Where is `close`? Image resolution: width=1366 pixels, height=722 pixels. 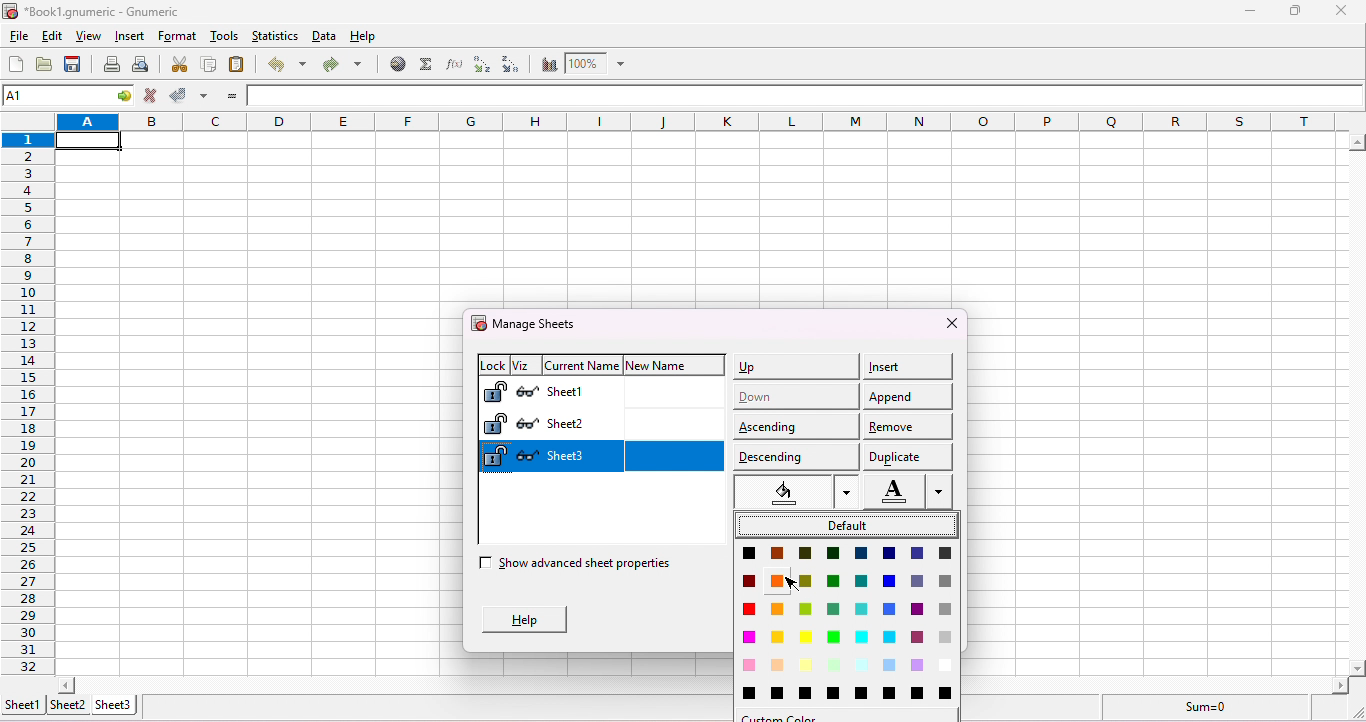
close is located at coordinates (1348, 9).